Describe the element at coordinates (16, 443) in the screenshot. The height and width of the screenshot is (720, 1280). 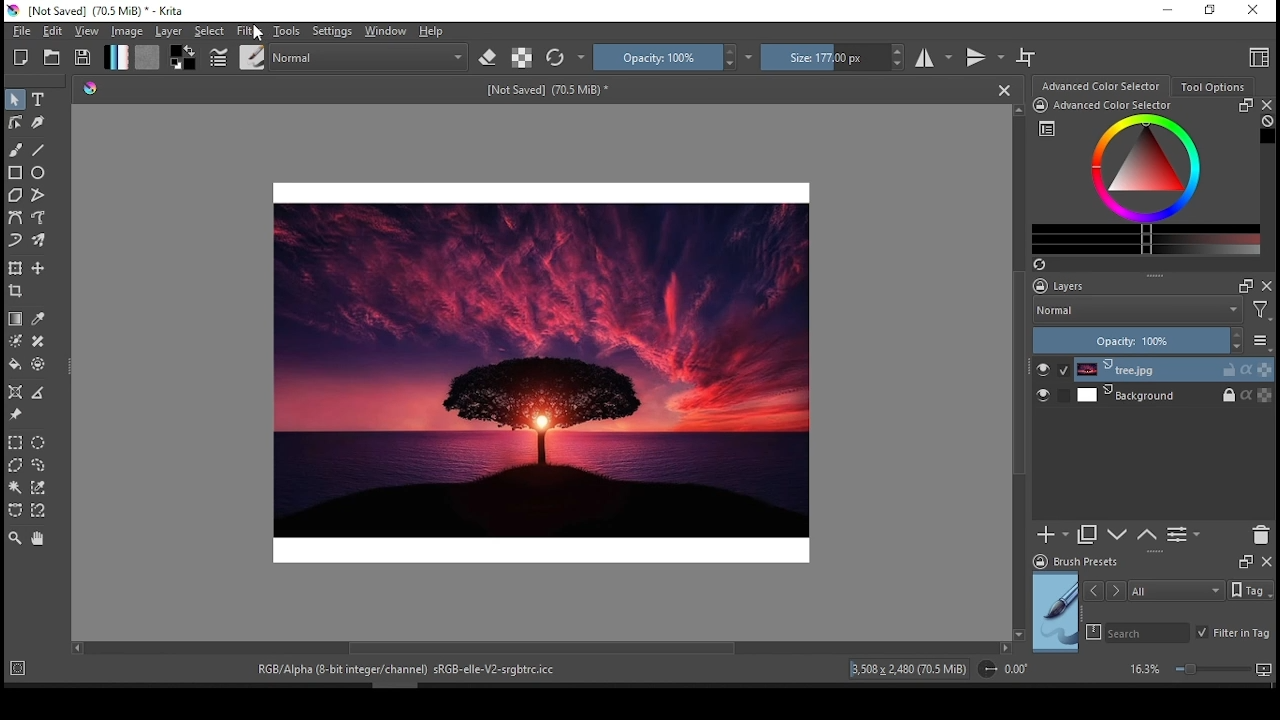
I see `rectangular selection tool` at that location.